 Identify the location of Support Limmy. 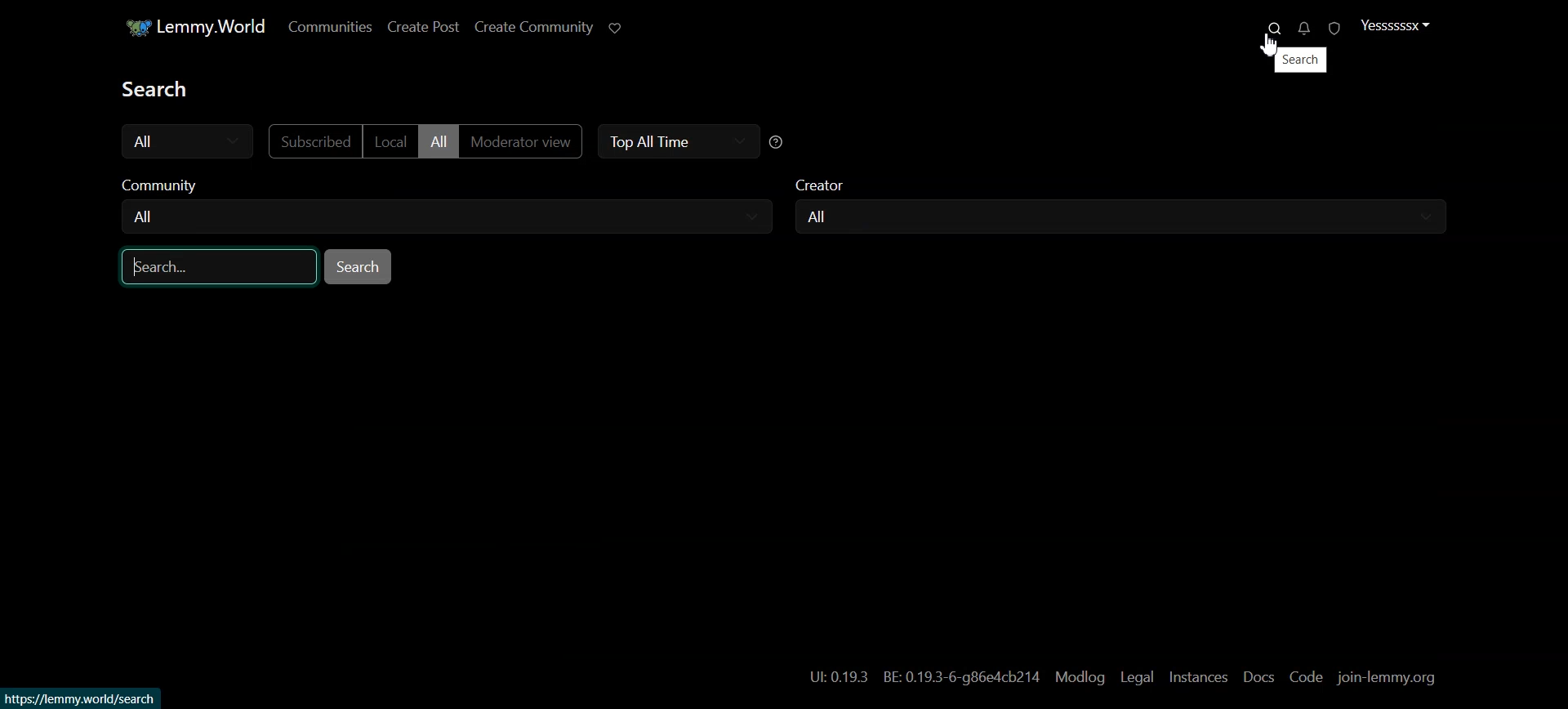
(616, 27).